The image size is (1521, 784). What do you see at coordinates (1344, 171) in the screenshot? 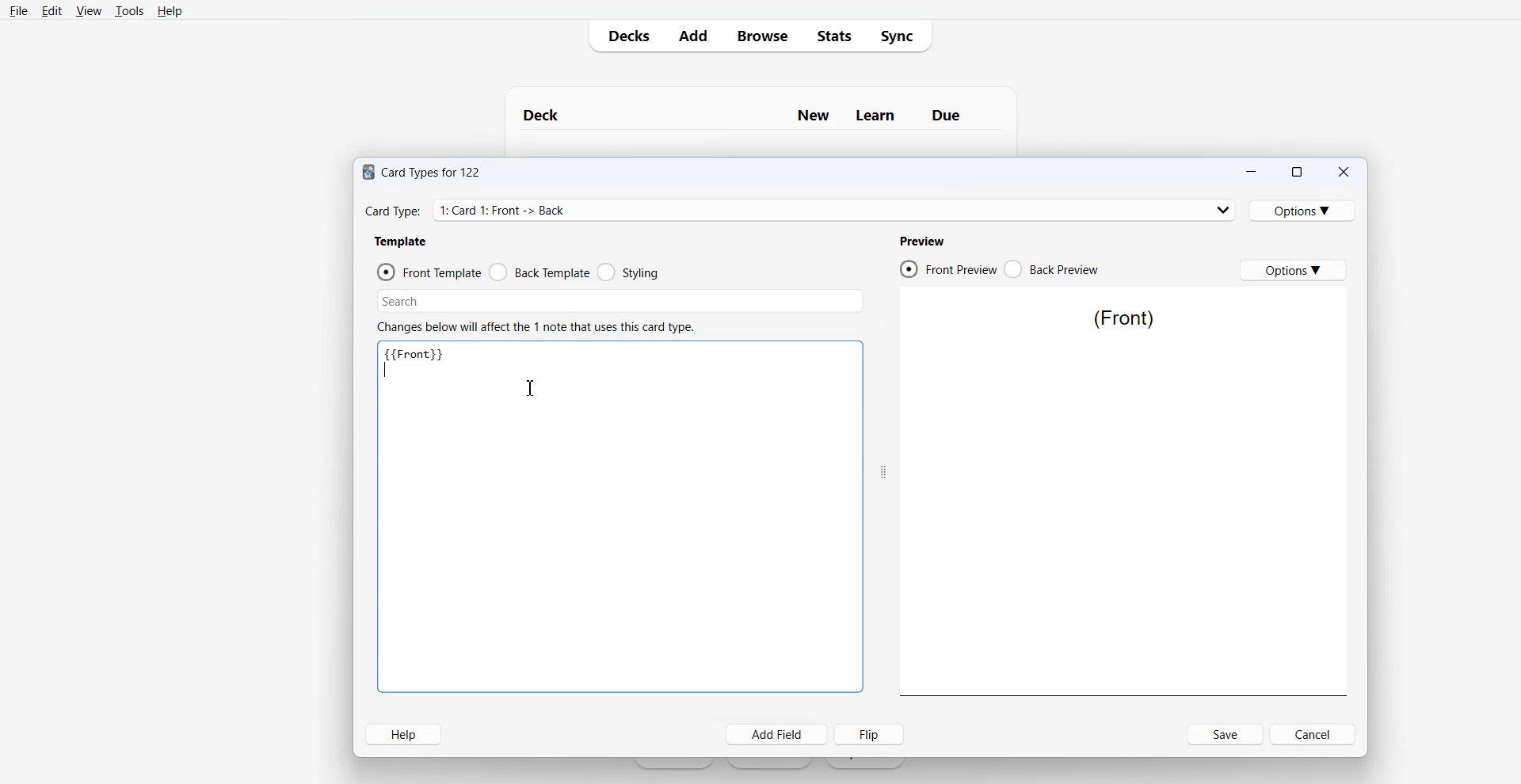
I see `Close` at bounding box center [1344, 171].